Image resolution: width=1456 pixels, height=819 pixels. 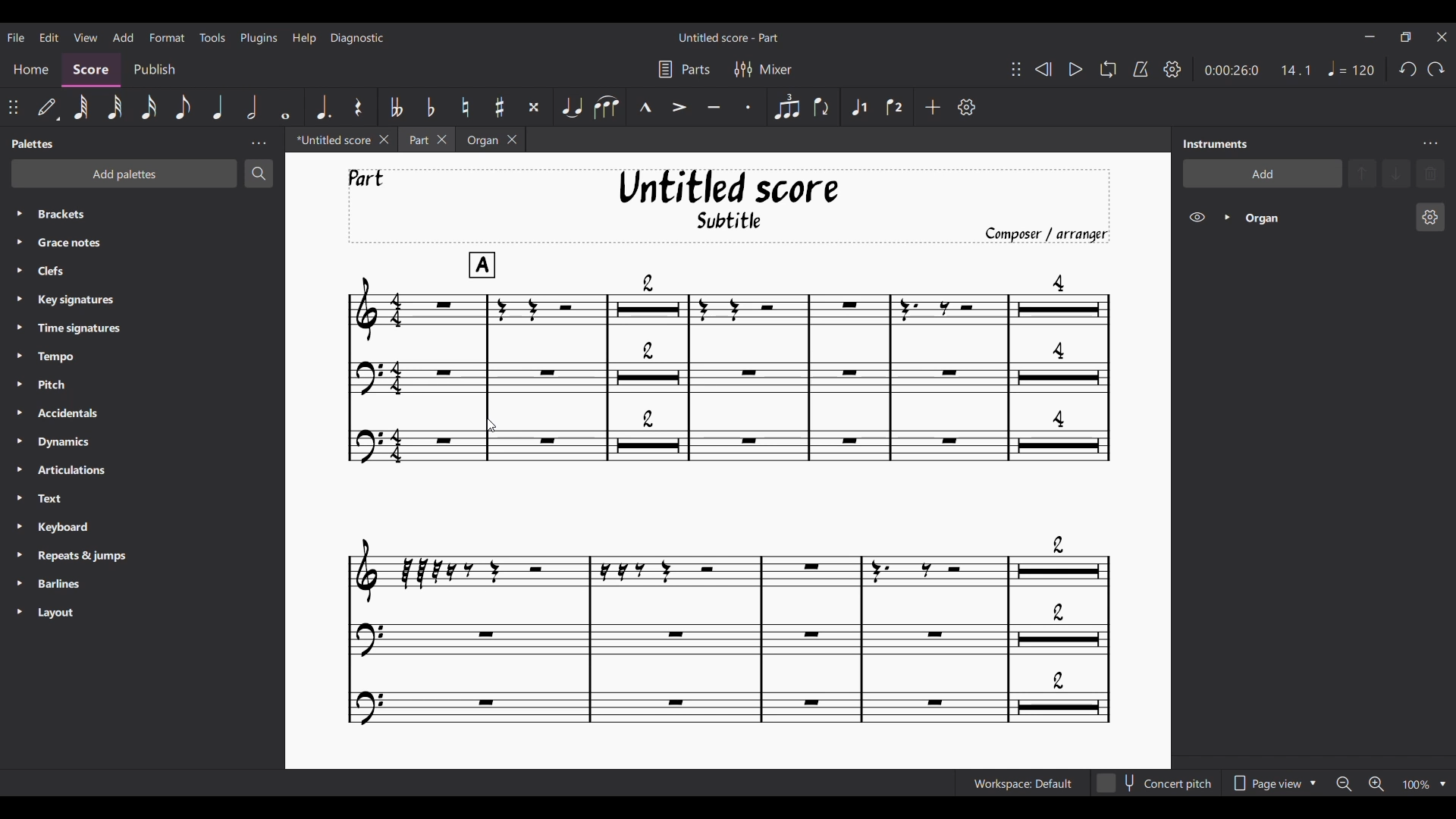 I want to click on View menu, so click(x=86, y=36).